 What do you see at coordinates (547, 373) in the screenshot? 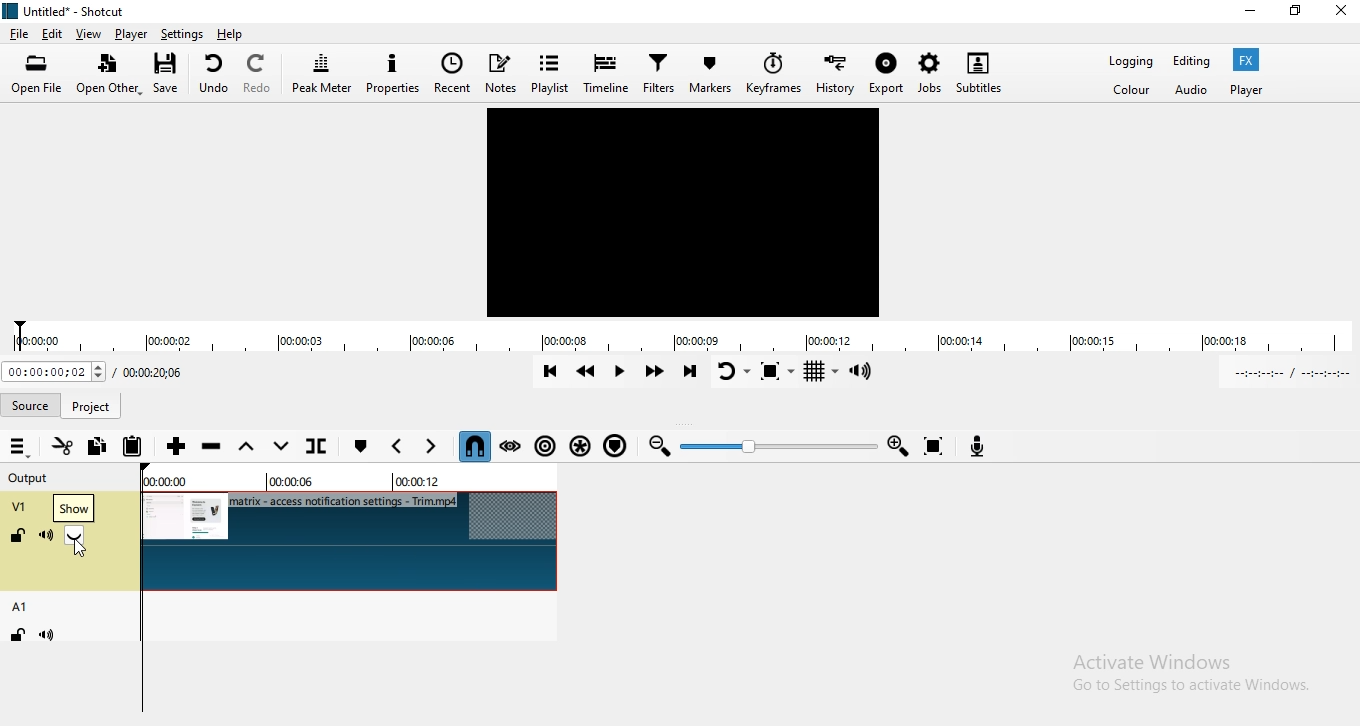
I see `Skip to previous` at bounding box center [547, 373].